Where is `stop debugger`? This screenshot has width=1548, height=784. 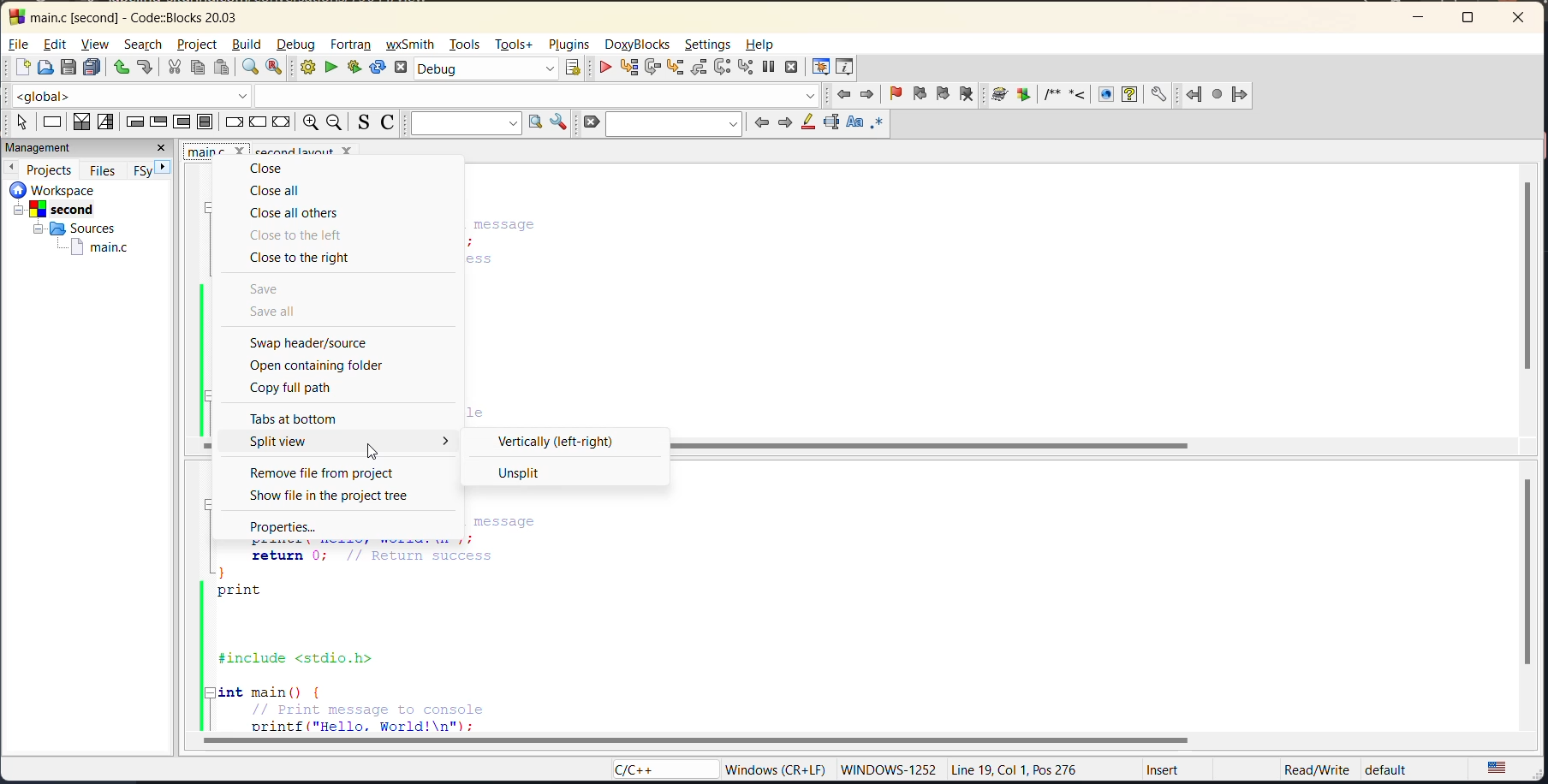 stop debugger is located at coordinates (793, 69).